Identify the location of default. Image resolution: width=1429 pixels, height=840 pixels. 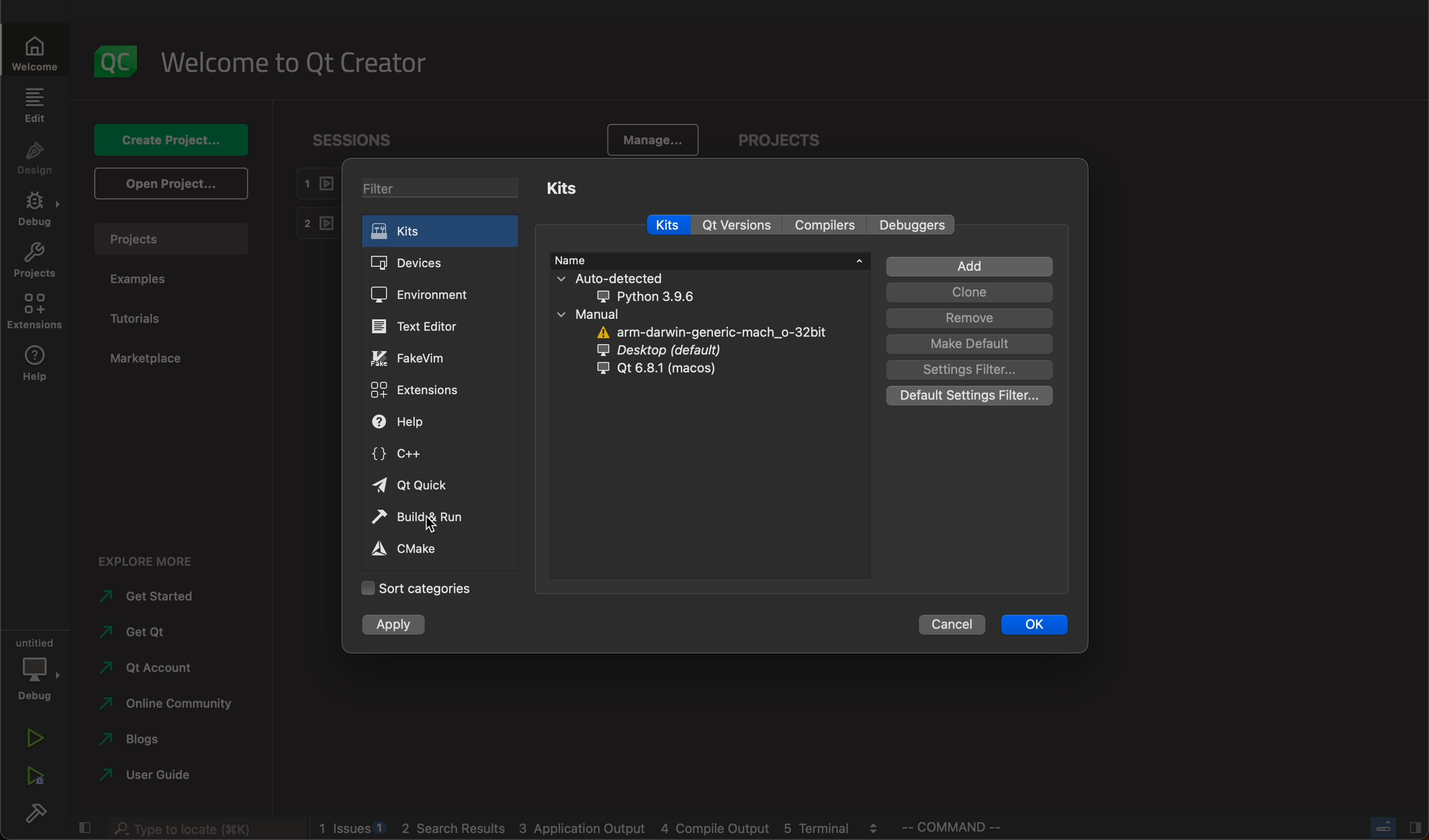
(972, 397).